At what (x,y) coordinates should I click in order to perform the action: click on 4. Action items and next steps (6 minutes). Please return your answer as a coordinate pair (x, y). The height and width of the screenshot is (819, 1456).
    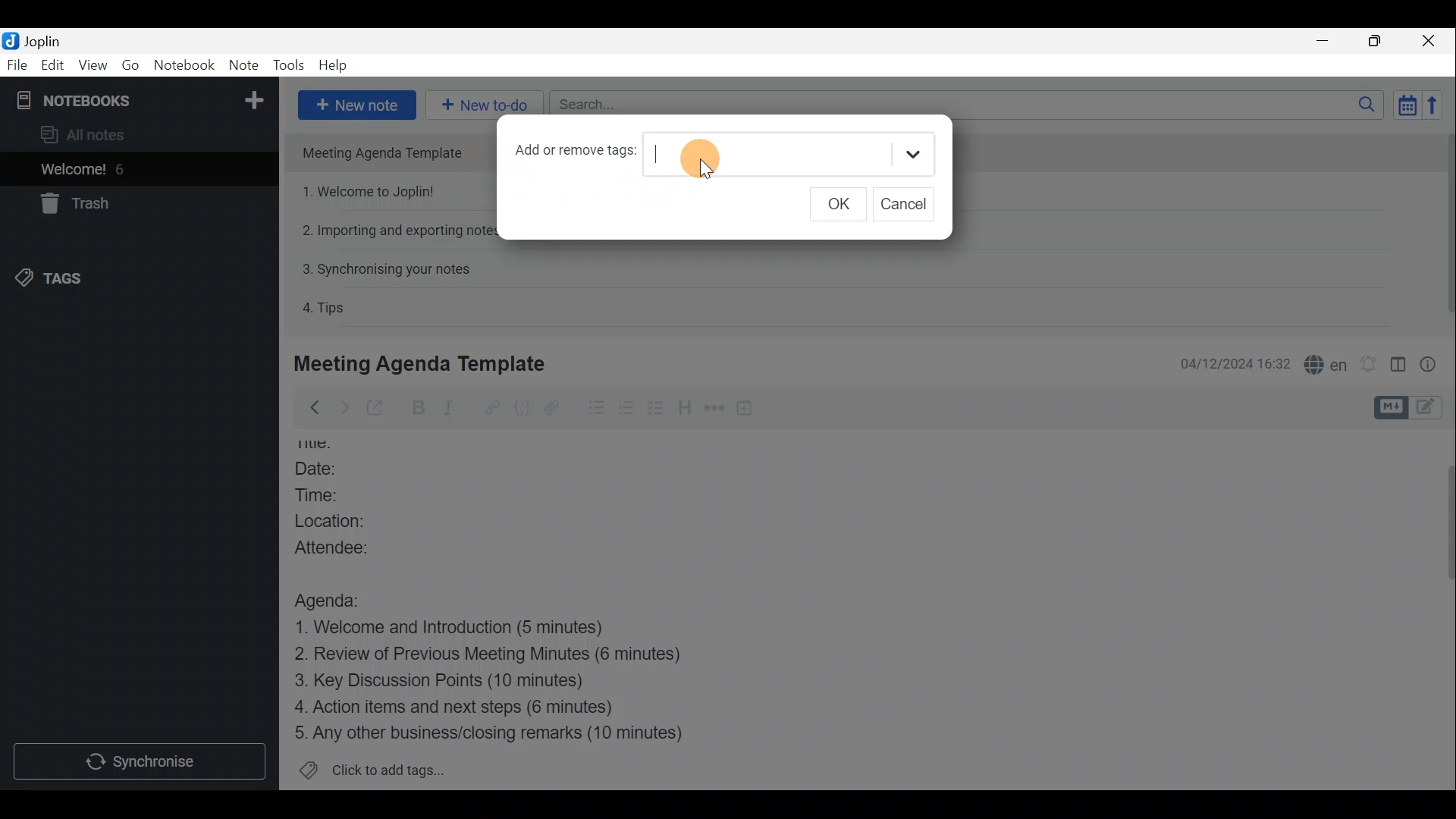
    Looking at the image, I should click on (479, 706).